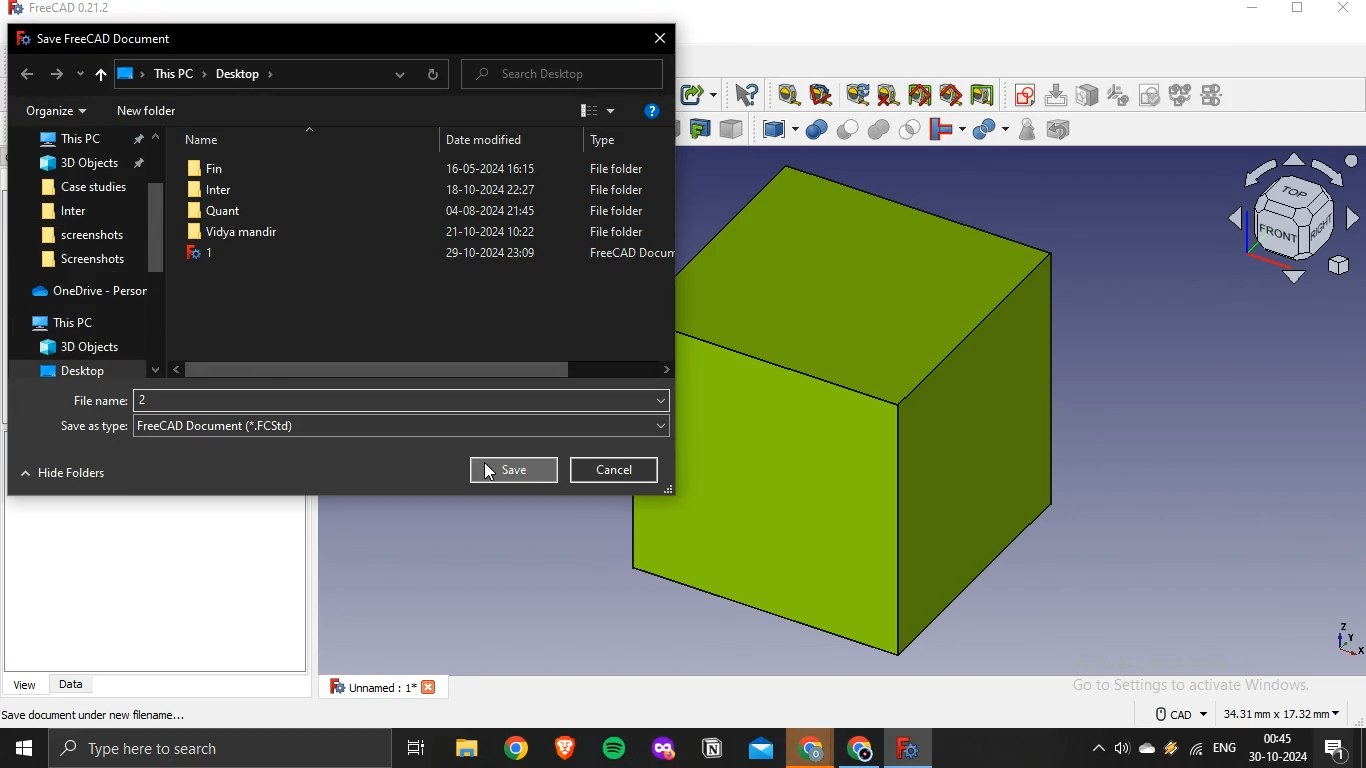 The width and height of the screenshot is (1366, 768). I want to click on refresh, so click(432, 75).